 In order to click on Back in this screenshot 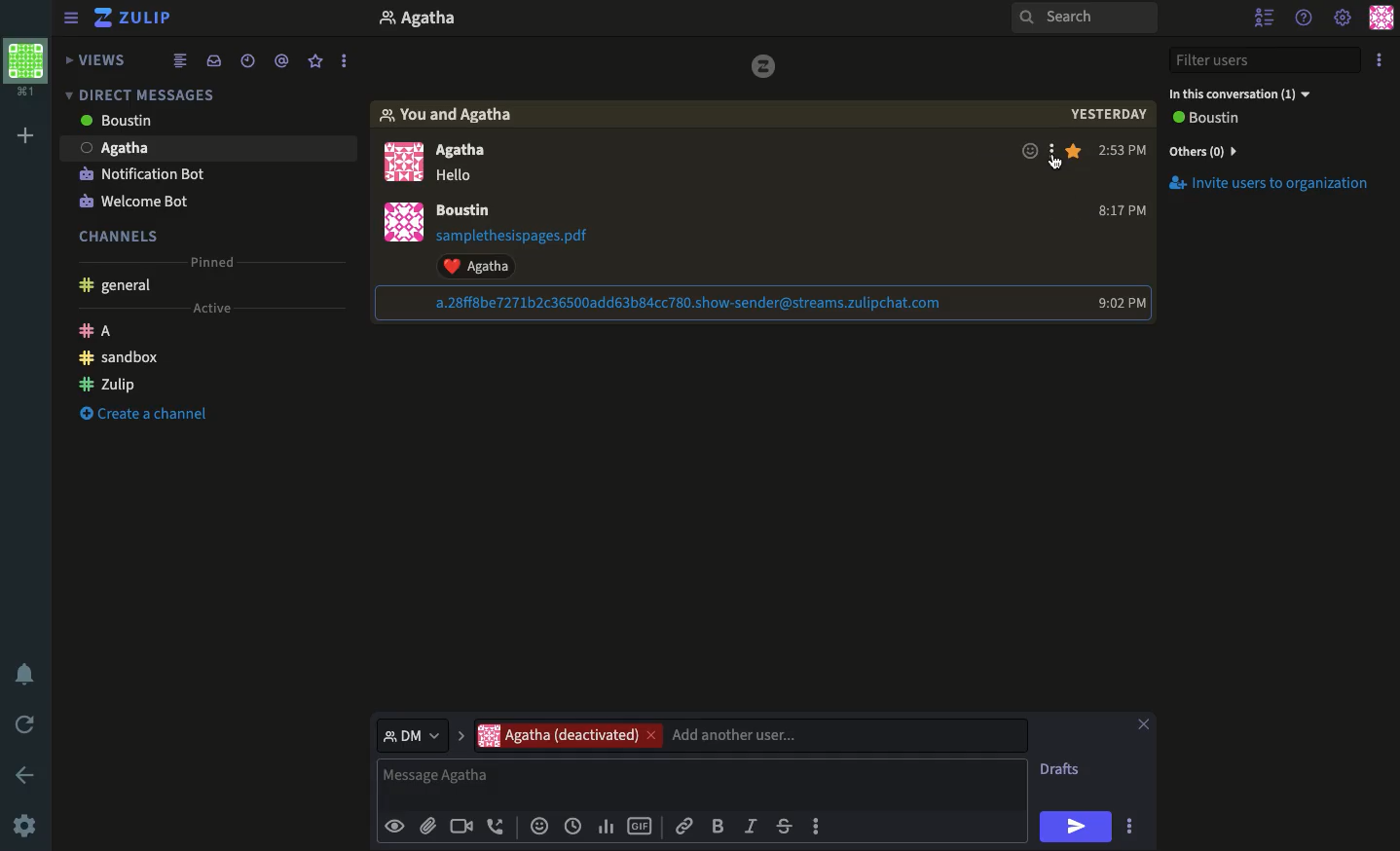, I will do `click(21, 773)`.